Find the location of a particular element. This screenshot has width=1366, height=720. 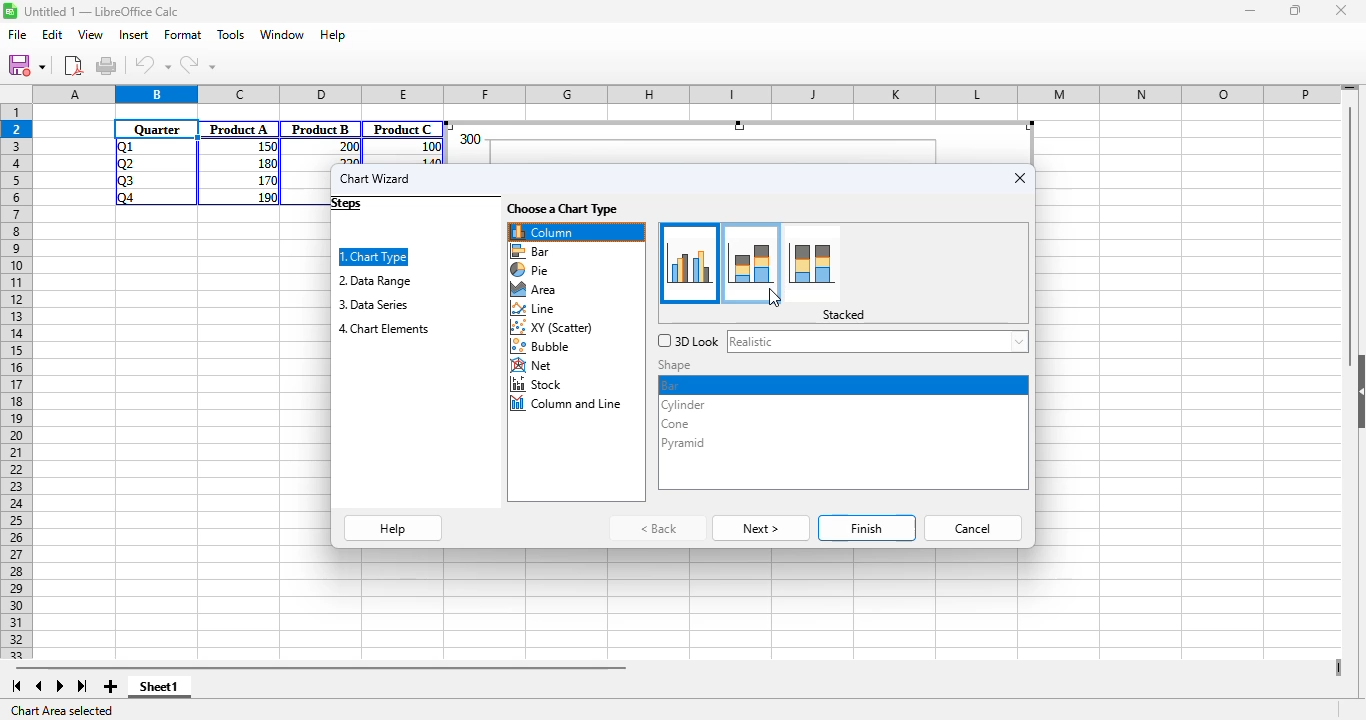

Product C is located at coordinates (403, 129).